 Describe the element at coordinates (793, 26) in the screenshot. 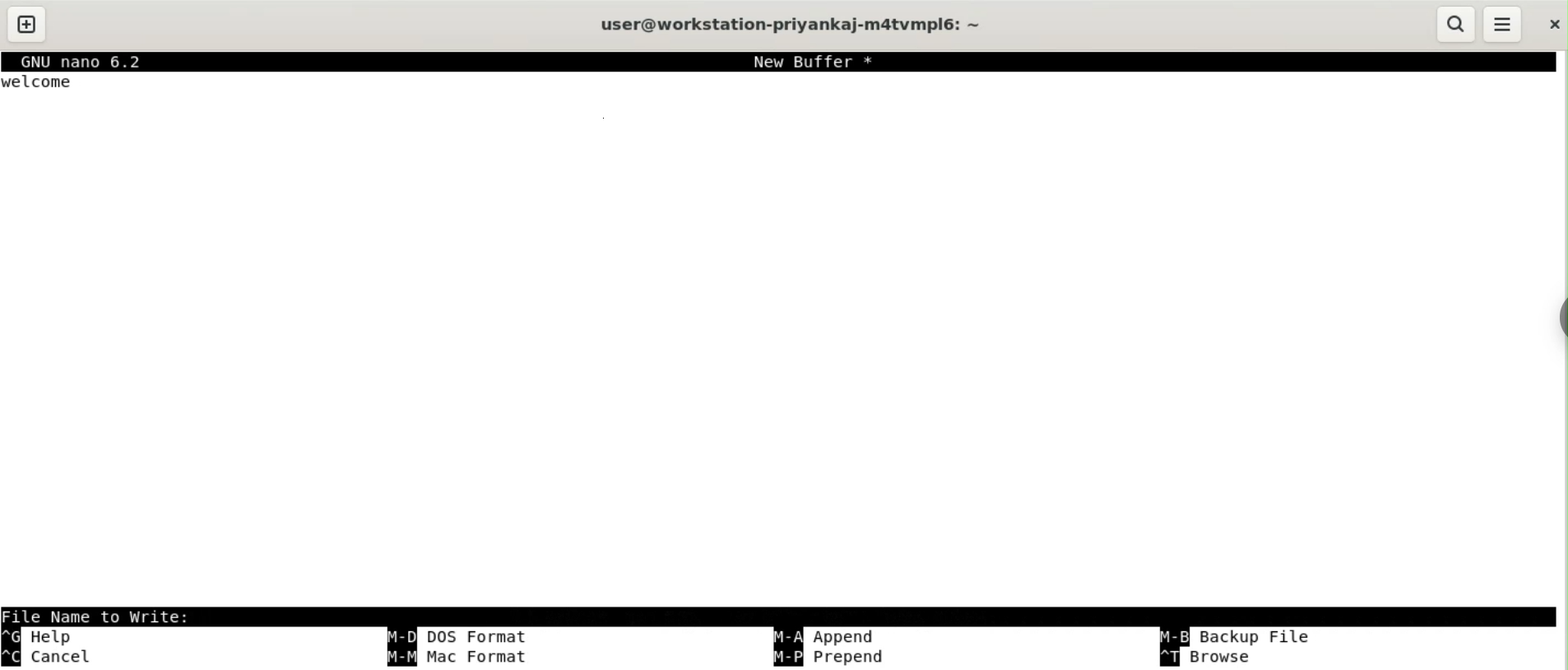

I see `user@workstation-privankaj-m4atvmplé6: ~` at that location.